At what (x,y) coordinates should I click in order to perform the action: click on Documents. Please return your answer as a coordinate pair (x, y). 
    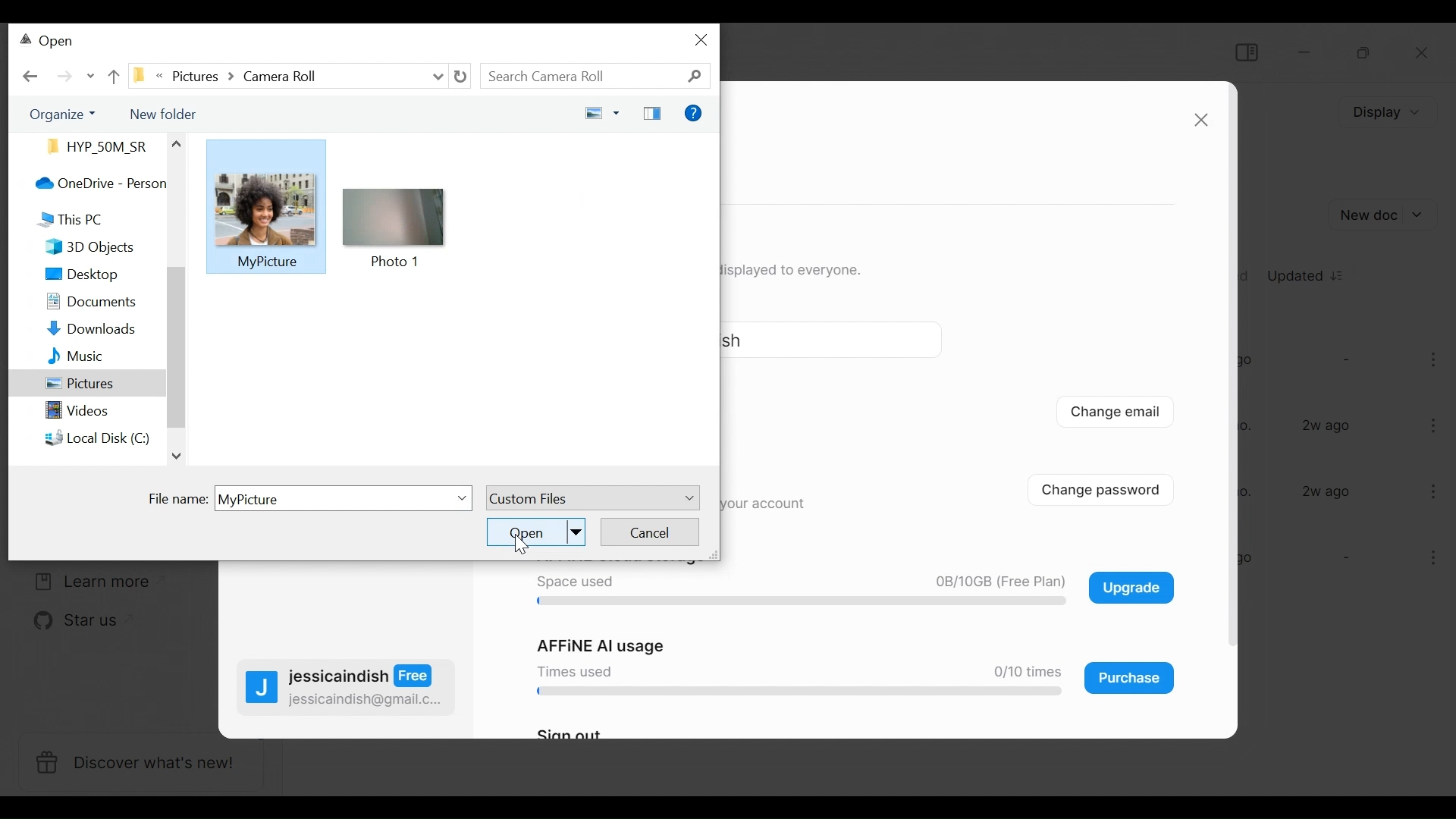
    Looking at the image, I should click on (78, 303).